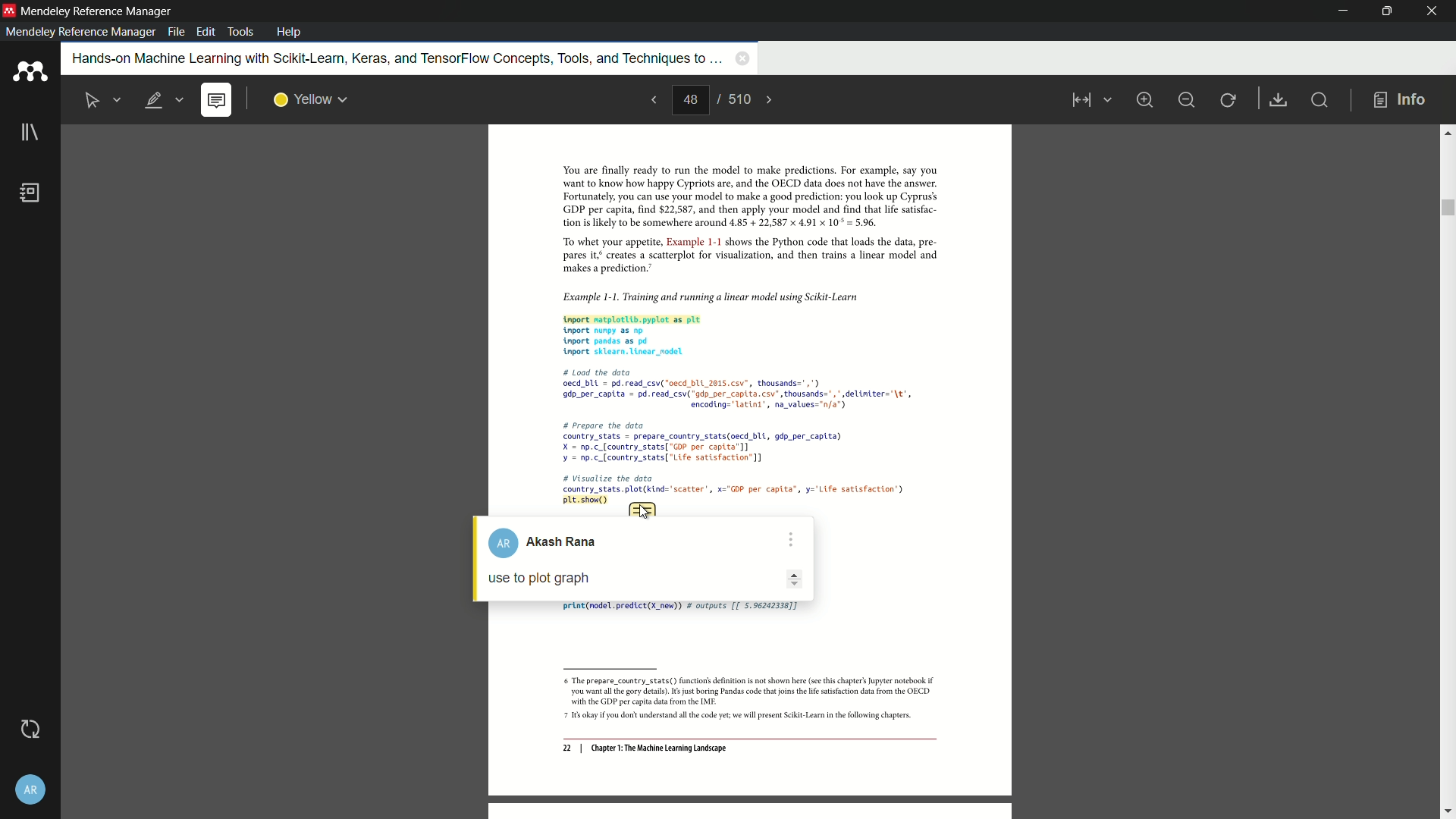  I want to click on book, so click(31, 193).